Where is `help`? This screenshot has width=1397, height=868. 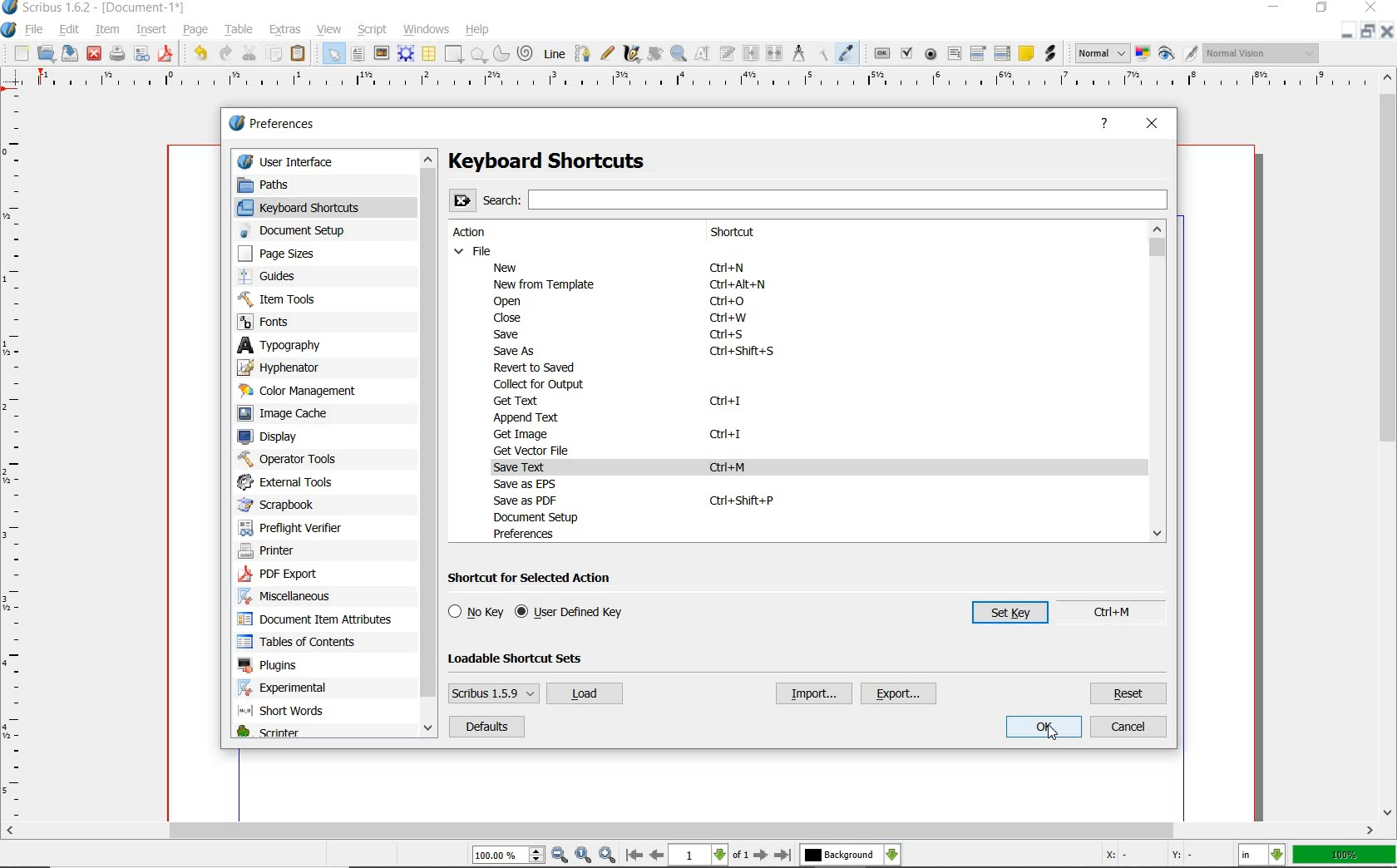 help is located at coordinates (1104, 124).